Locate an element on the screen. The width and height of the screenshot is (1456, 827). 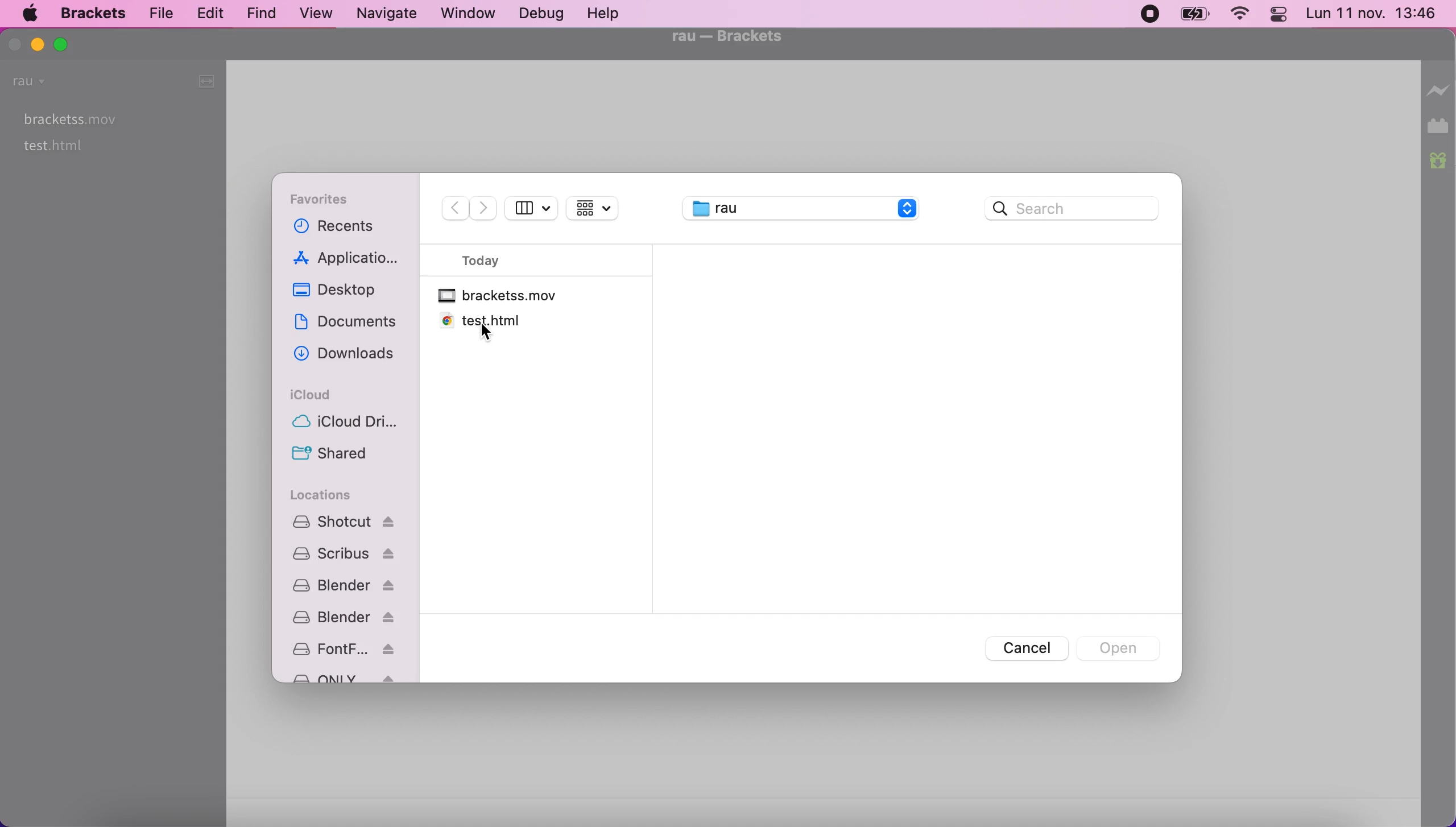
shared is located at coordinates (335, 455).